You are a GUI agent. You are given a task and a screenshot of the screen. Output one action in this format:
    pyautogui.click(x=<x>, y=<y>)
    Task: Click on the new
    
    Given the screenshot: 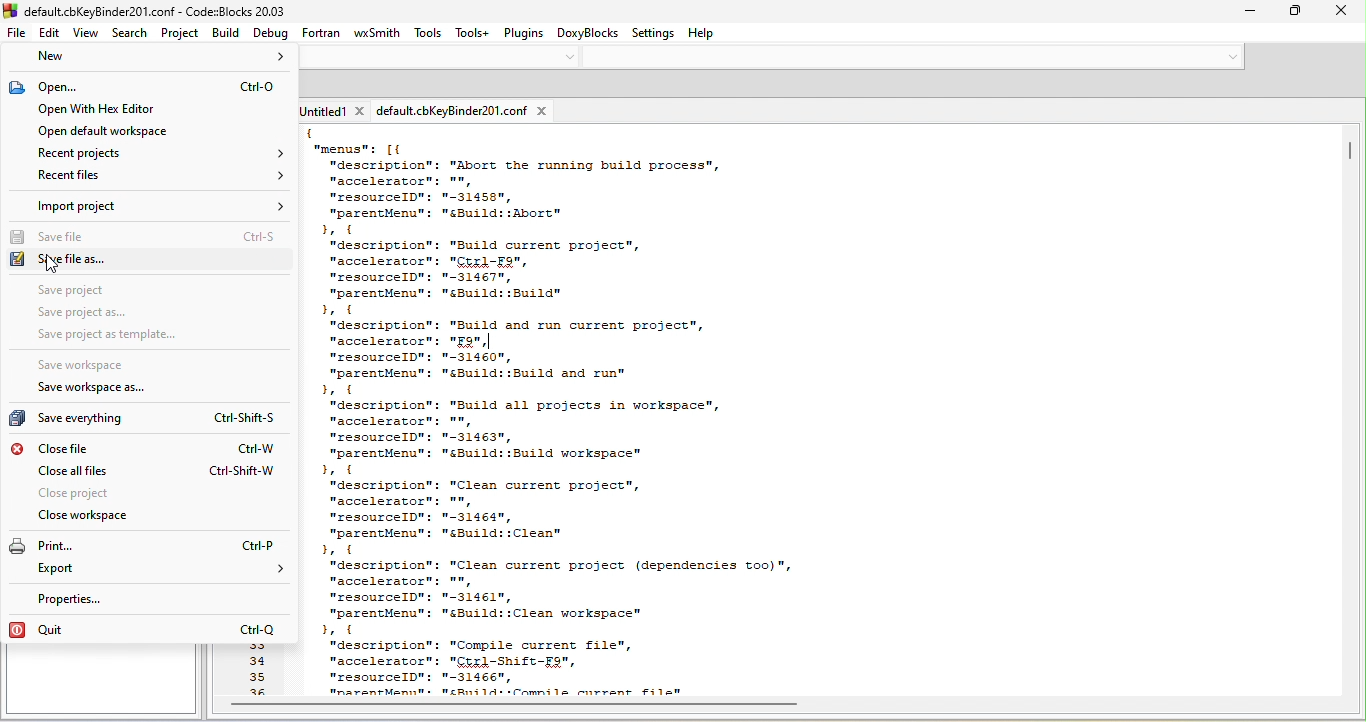 What is the action you would take?
    pyautogui.click(x=155, y=57)
    